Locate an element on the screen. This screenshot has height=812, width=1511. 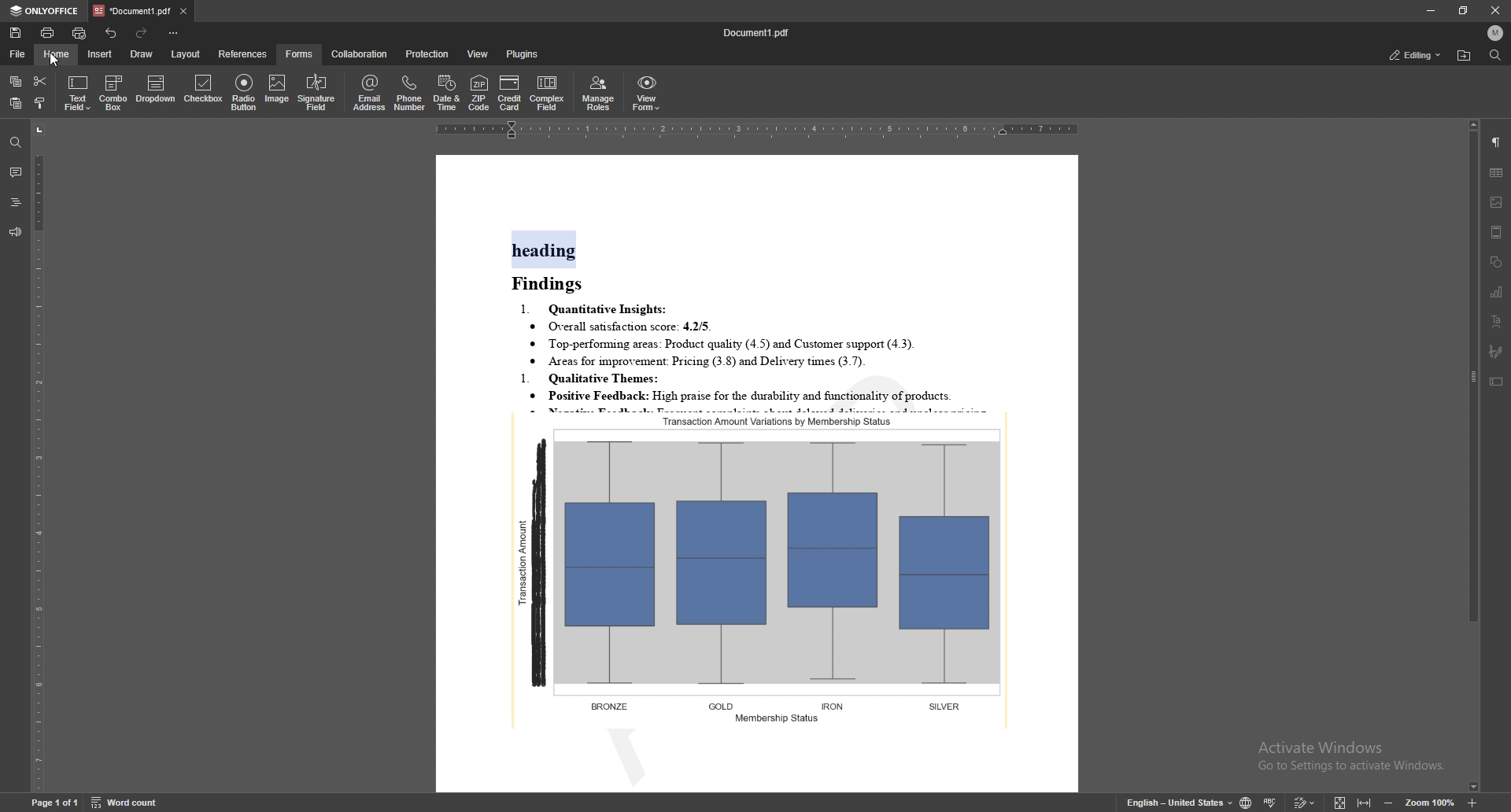
comment is located at coordinates (15, 172).